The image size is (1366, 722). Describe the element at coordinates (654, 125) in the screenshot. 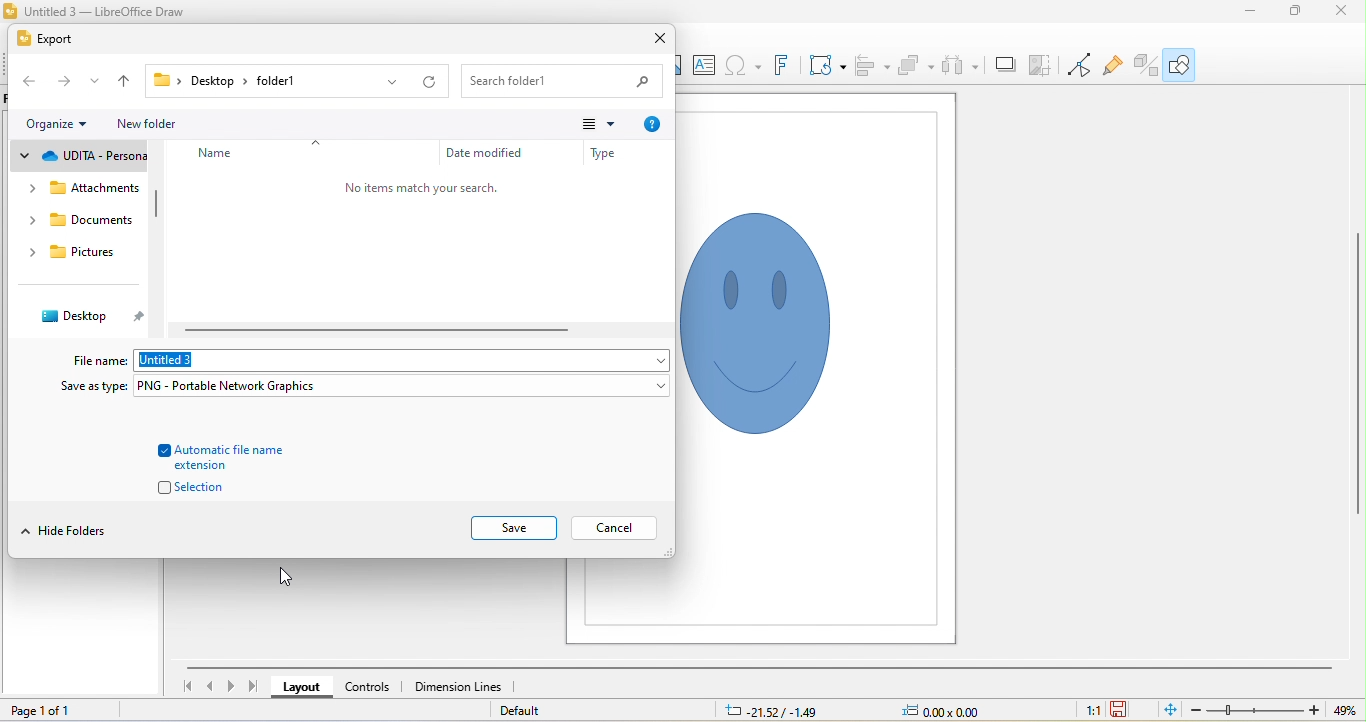

I see `help` at that location.